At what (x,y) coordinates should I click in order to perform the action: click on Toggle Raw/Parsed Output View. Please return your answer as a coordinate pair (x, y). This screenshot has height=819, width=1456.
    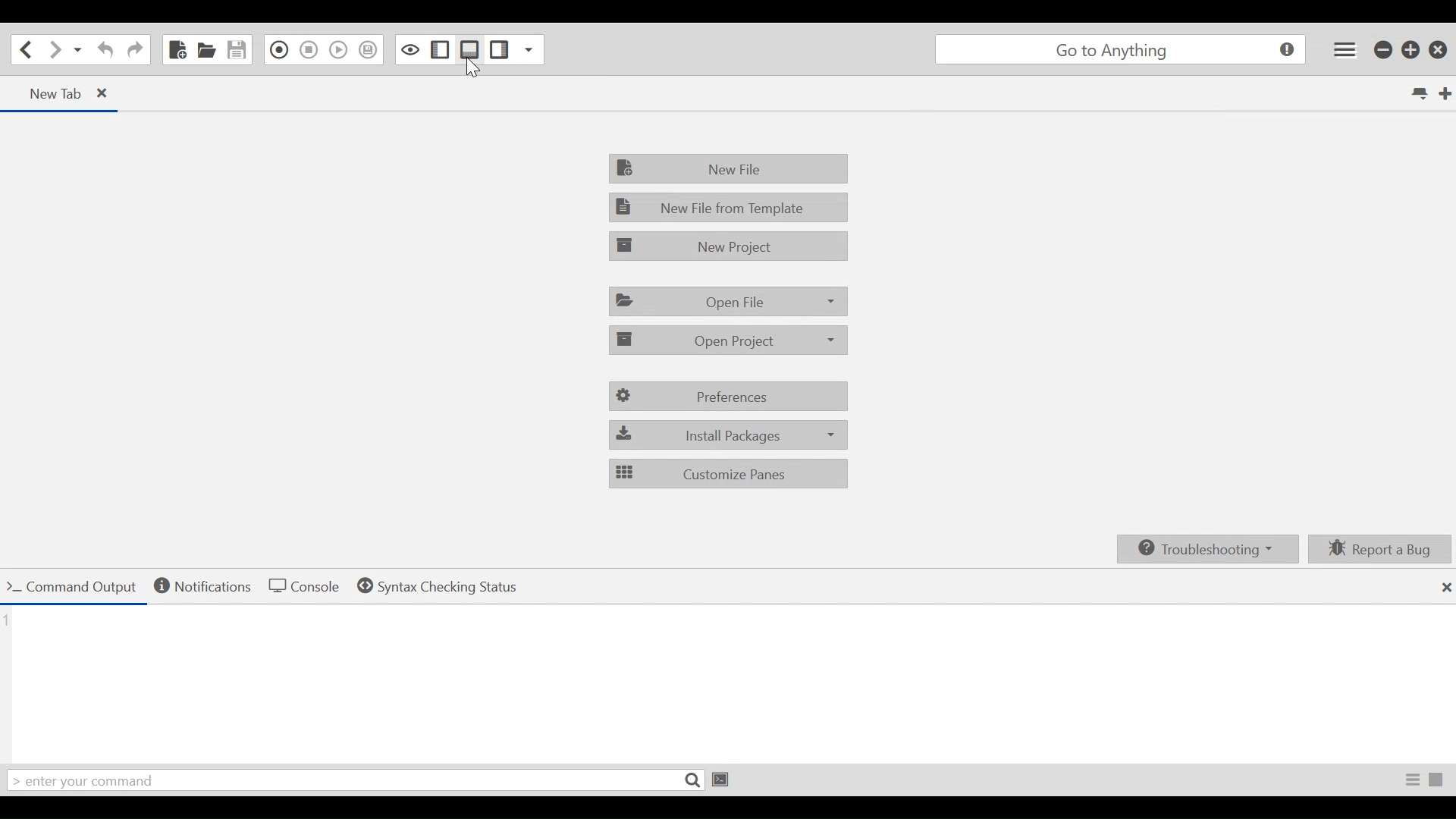
    Looking at the image, I should click on (1413, 780).